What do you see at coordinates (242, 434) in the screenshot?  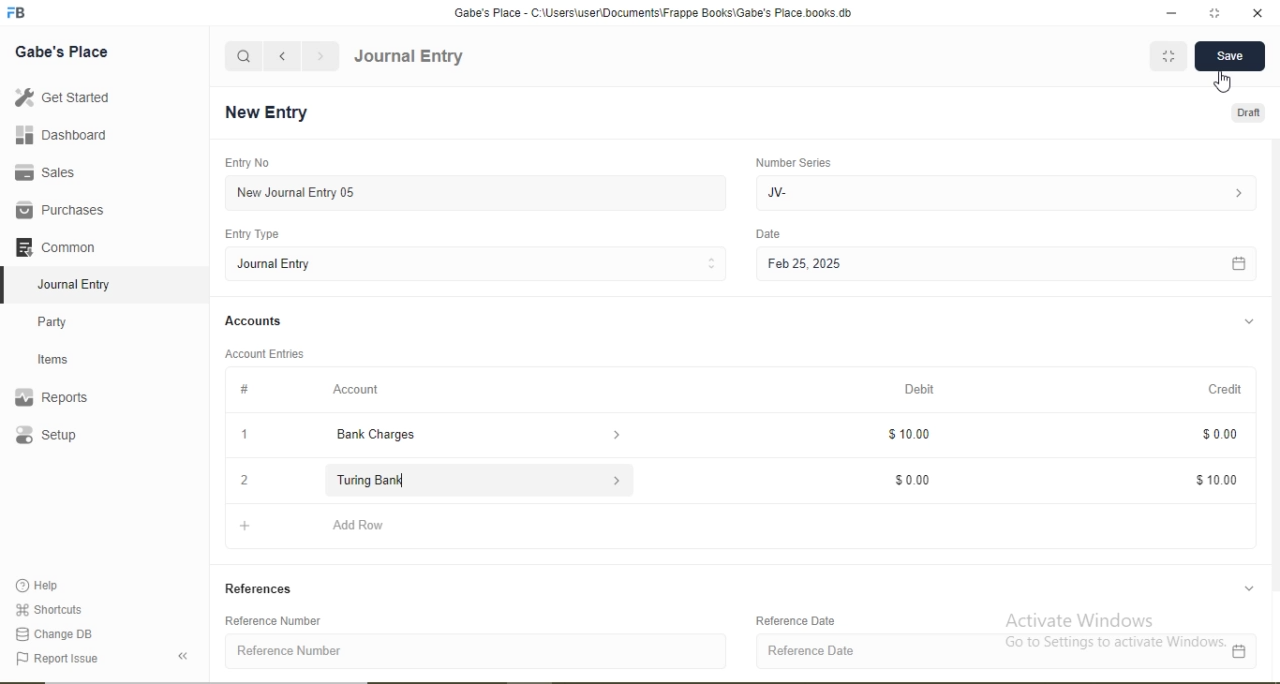 I see `1` at bounding box center [242, 434].